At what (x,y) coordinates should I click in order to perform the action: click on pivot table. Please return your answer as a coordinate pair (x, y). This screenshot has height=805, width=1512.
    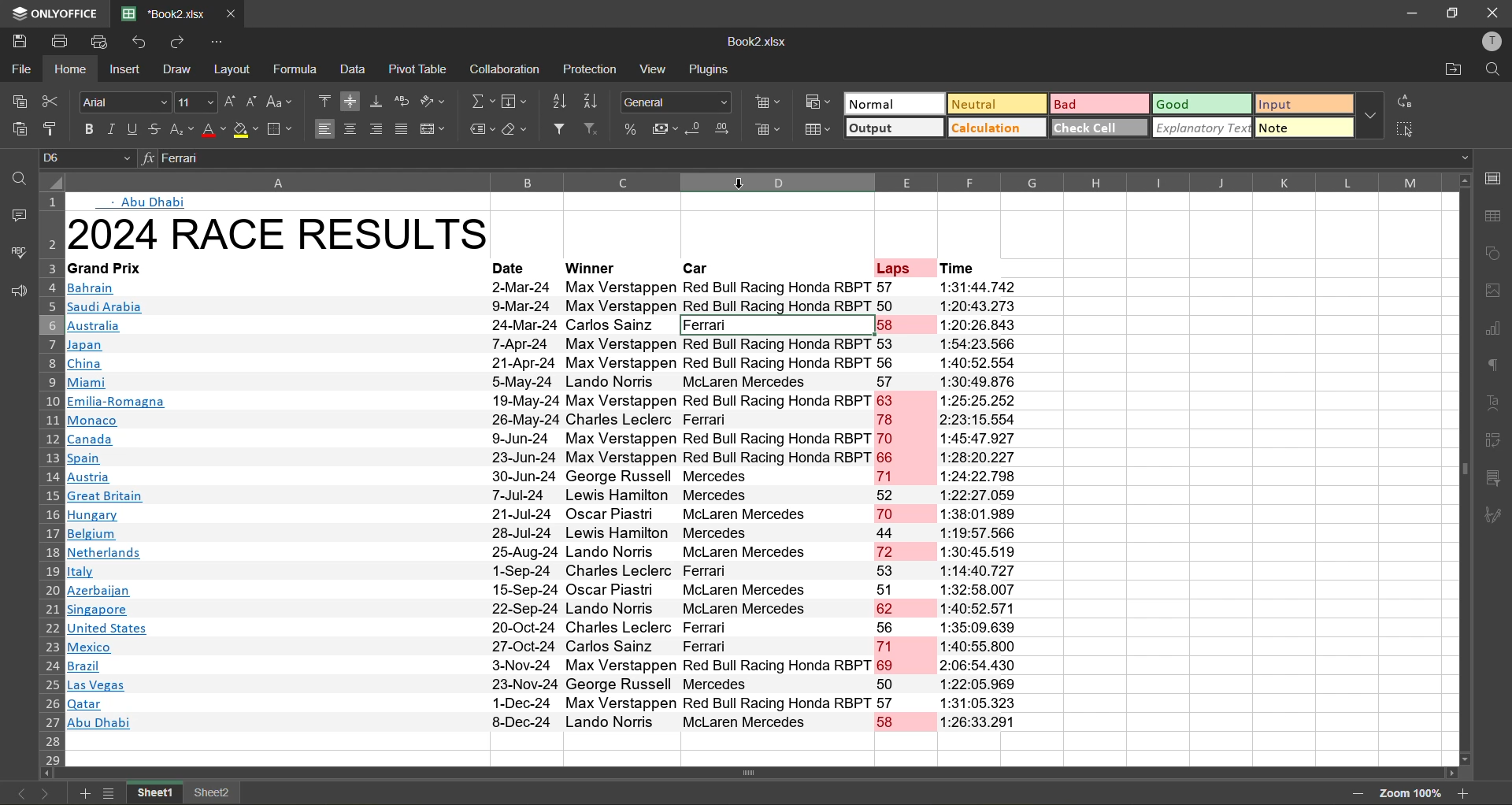
    Looking at the image, I should click on (1497, 443).